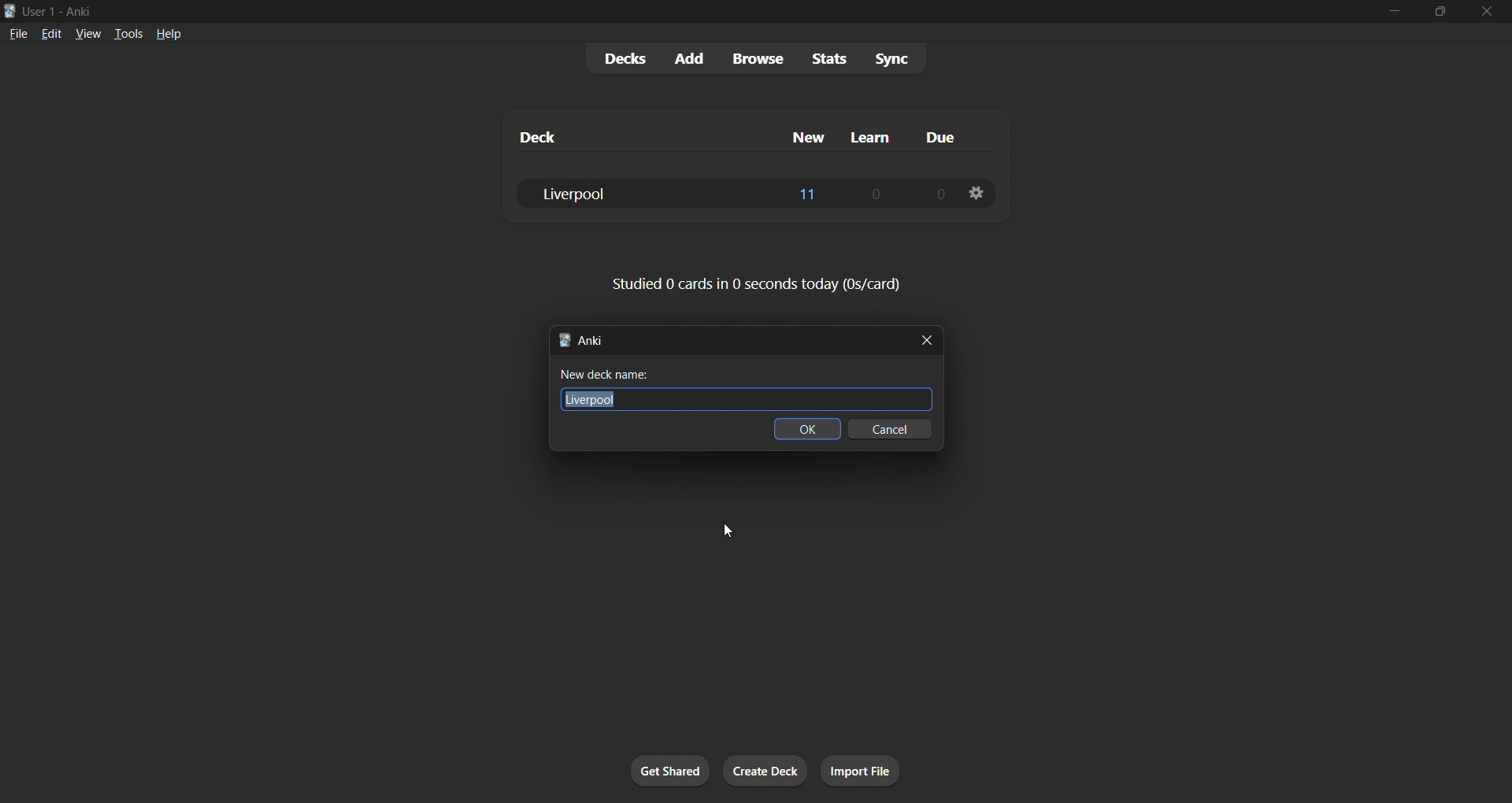 This screenshot has height=803, width=1512. Describe the element at coordinates (859, 772) in the screenshot. I see `import file` at that location.